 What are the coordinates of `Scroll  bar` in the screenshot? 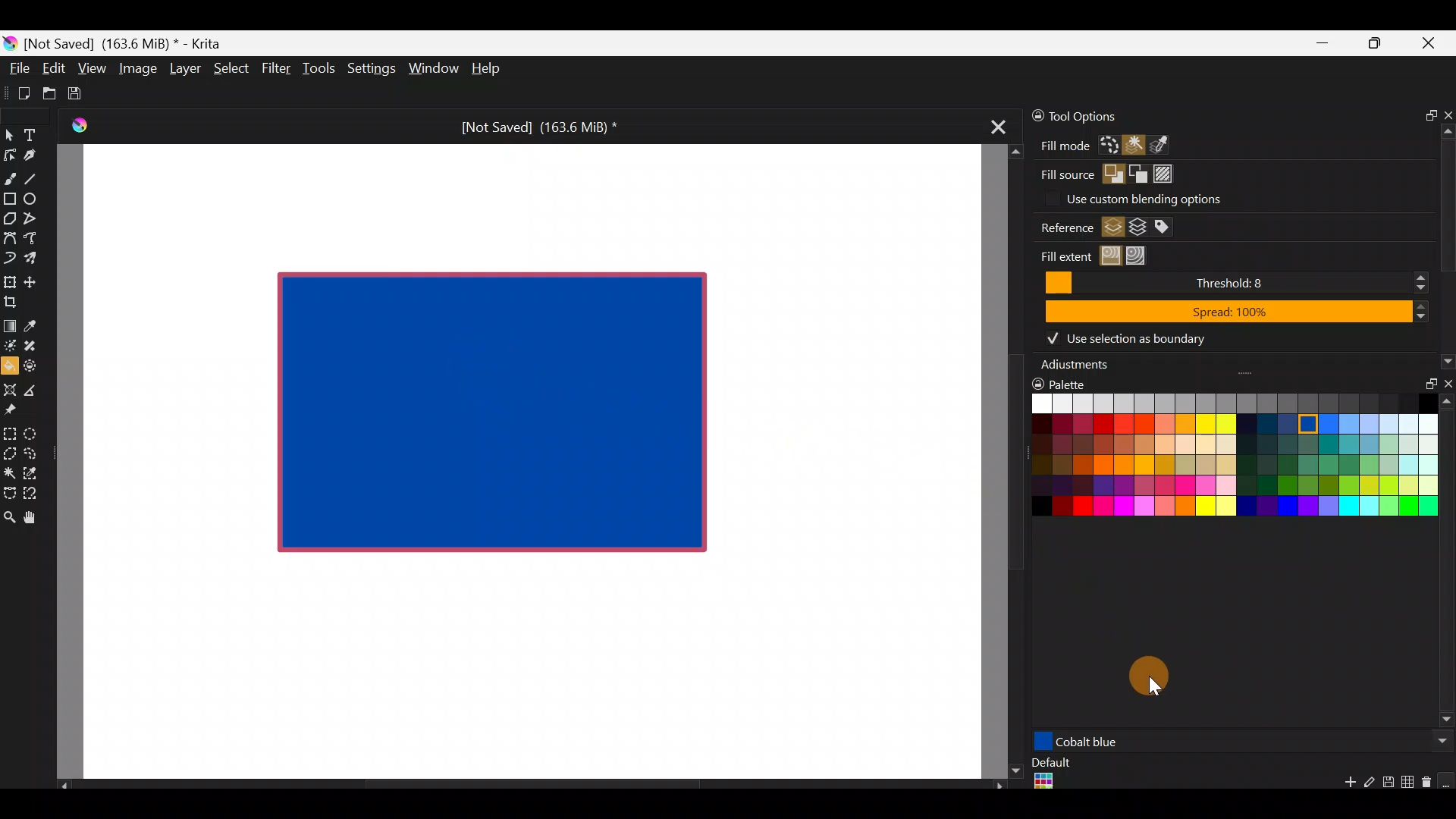 It's located at (1447, 247).